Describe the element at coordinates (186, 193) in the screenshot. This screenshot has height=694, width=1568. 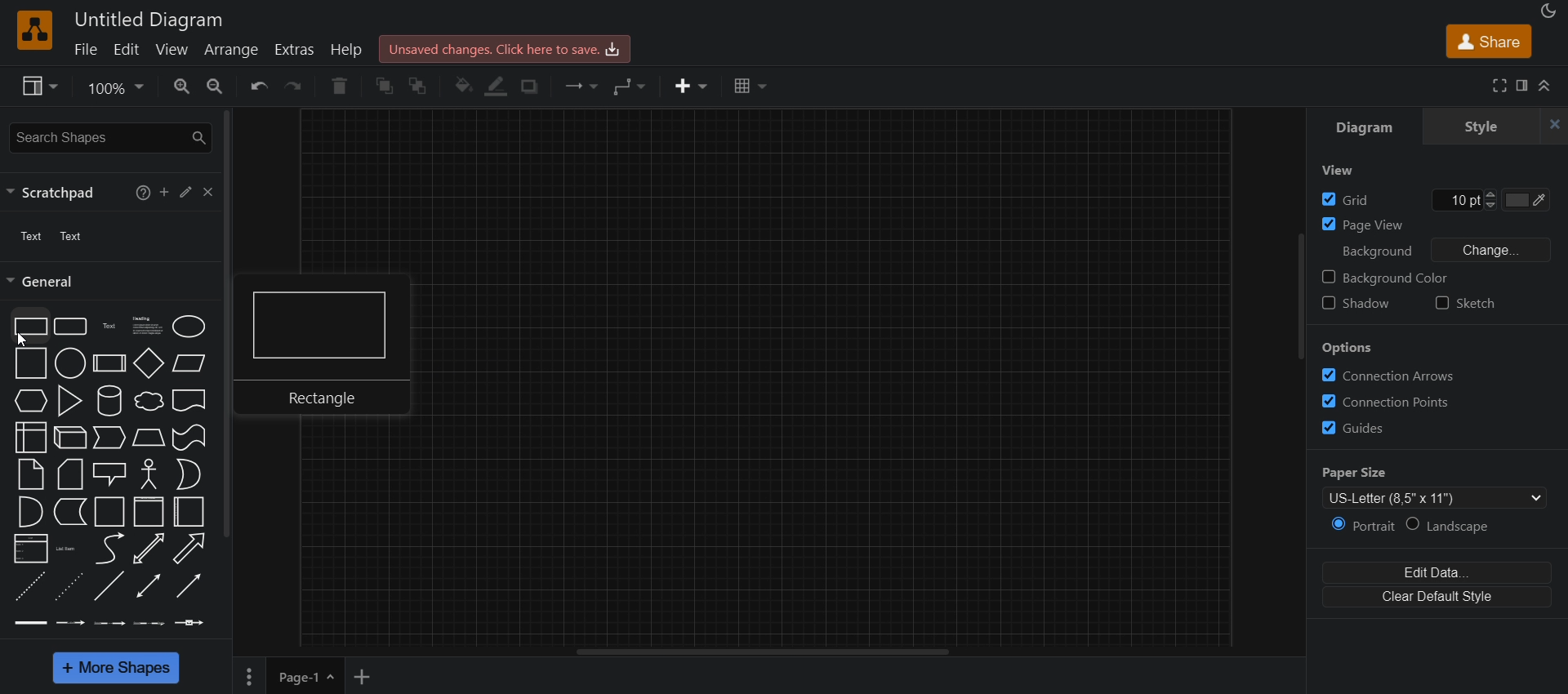
I see `edit` at that location.